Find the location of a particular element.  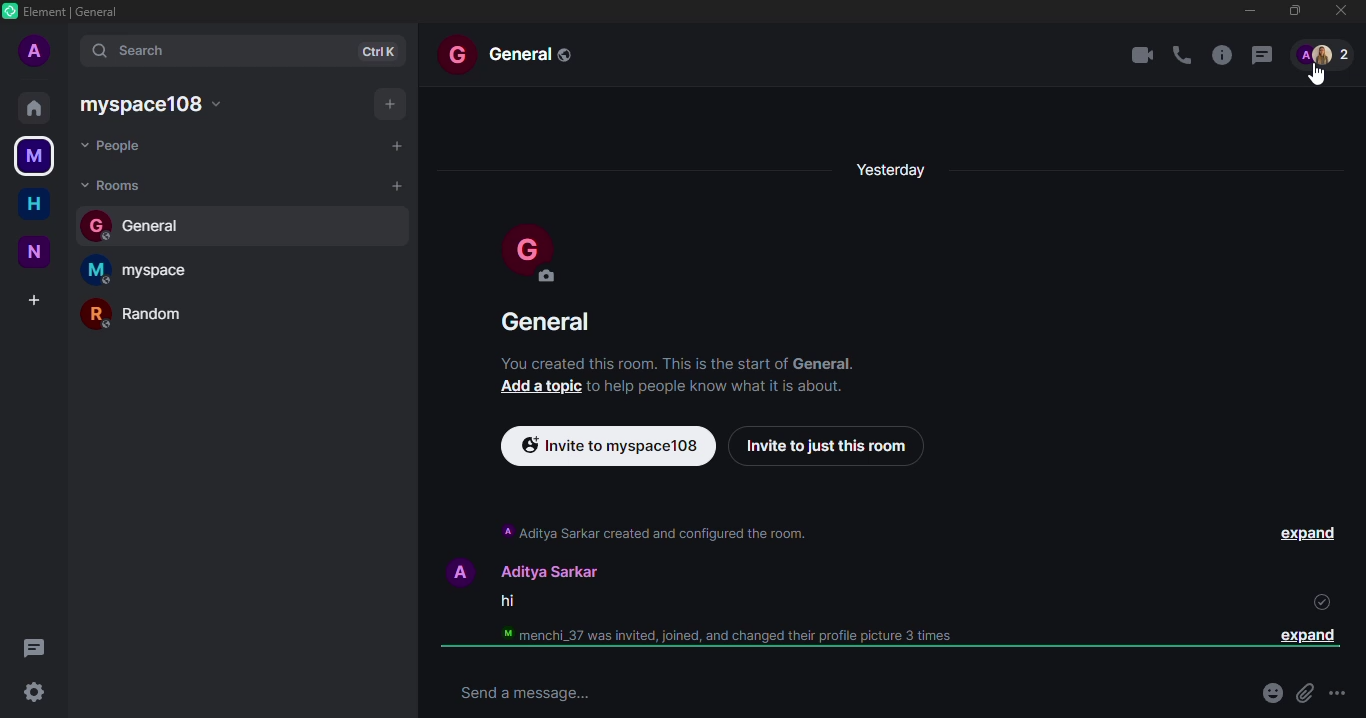

rooms is located at coordinates (114, 184).